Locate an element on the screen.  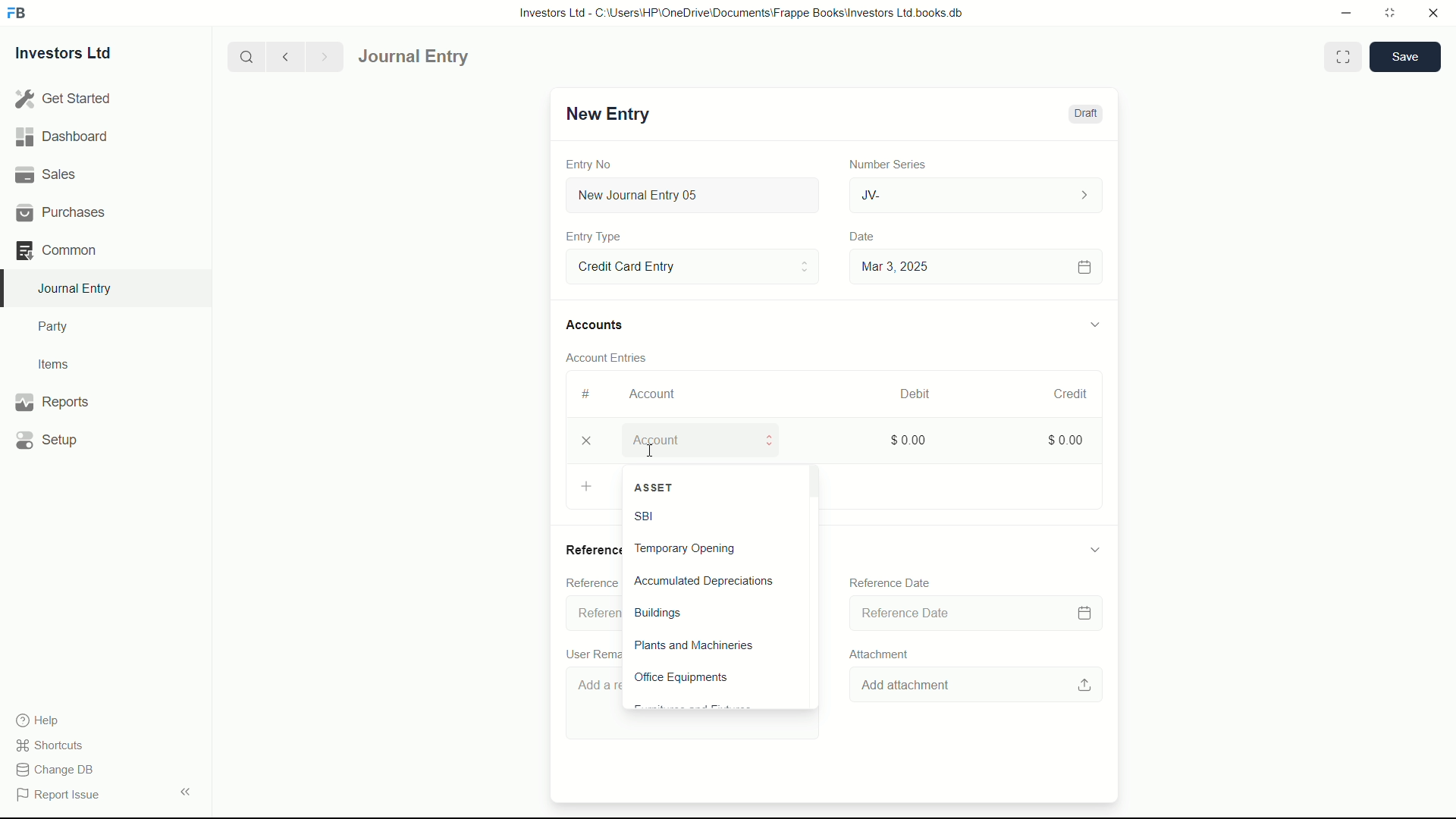
SBI is located at coordinates (692, 518).